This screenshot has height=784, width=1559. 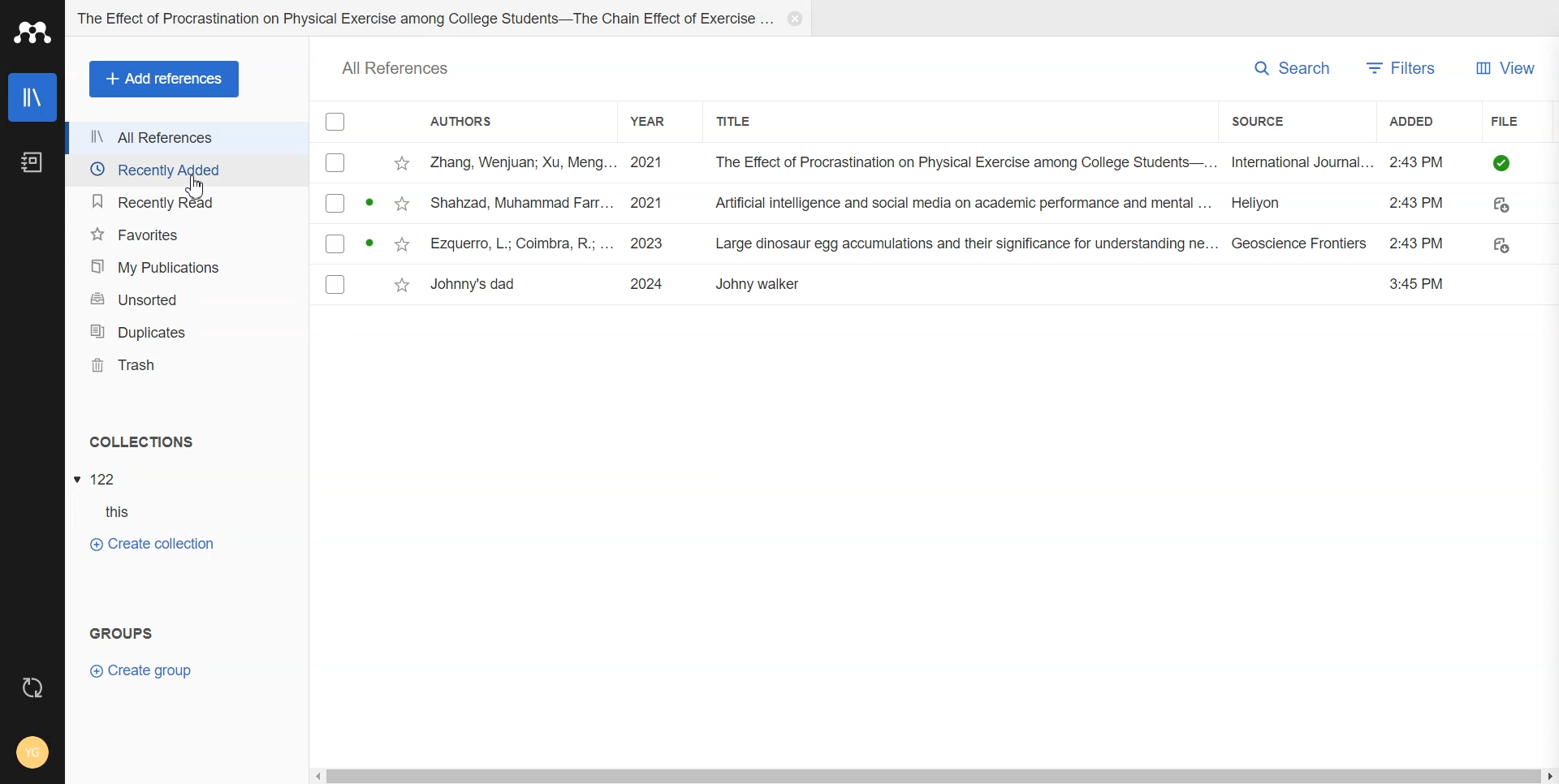 What do you see at coordinates (184, 204) in the screenshot?
I see `Recently Read` at bounding box center [184, 204].